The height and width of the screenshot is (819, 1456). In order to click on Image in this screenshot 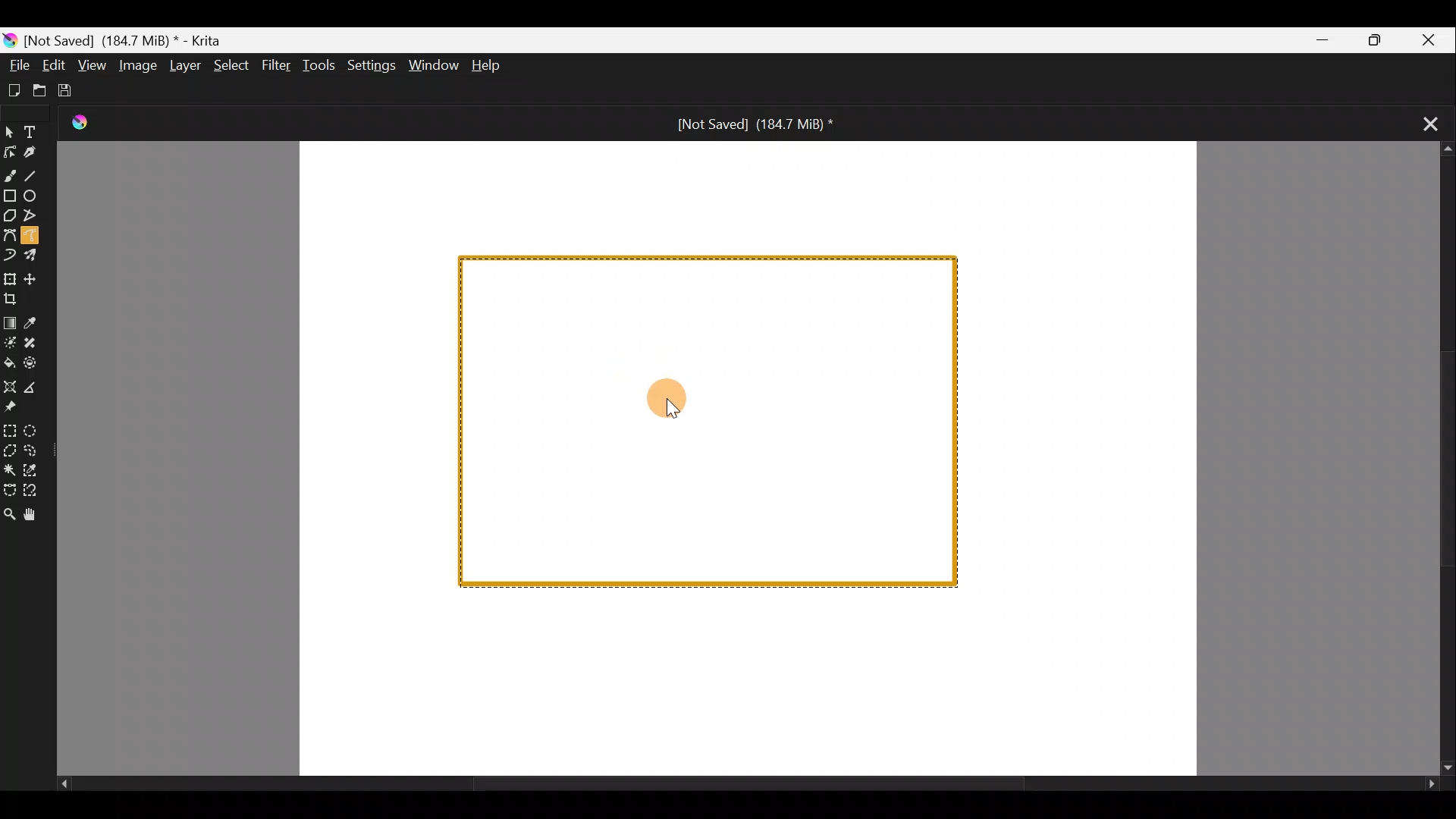, I will do `click(142, 66)`.